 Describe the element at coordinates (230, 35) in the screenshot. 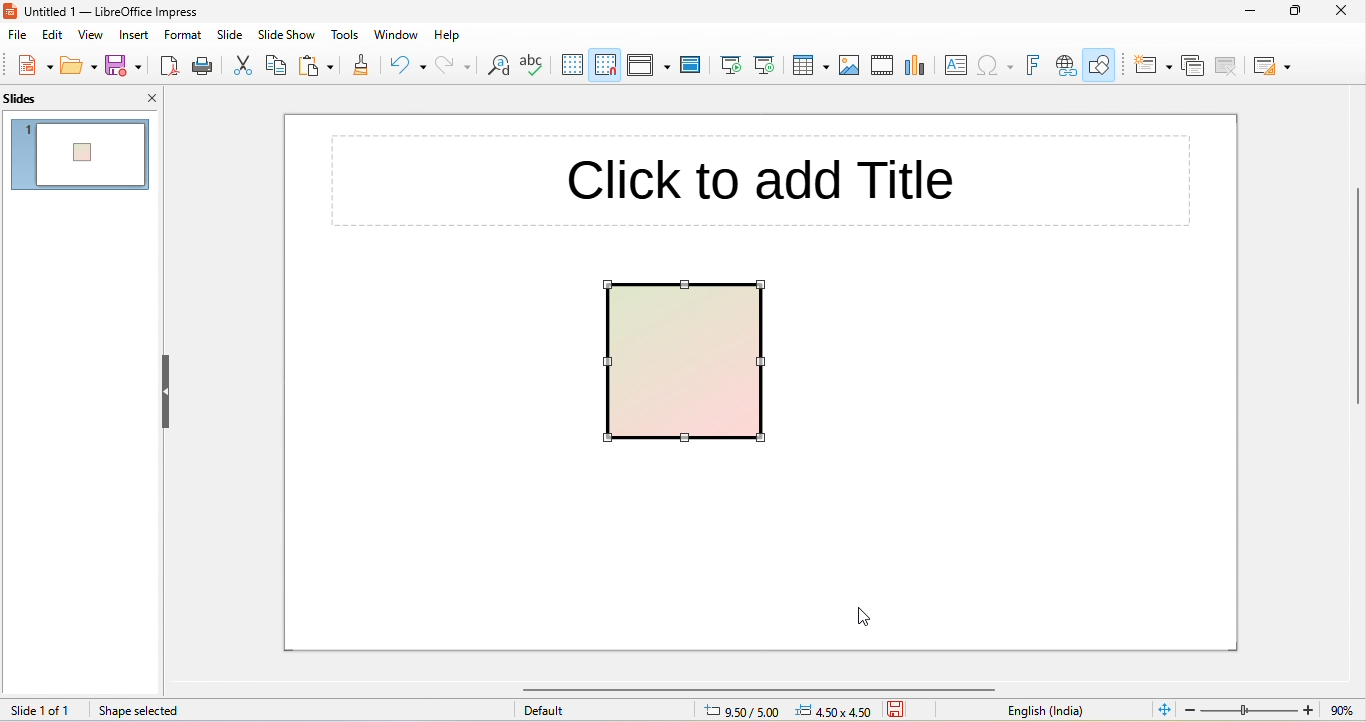

I see `slide` at that location.